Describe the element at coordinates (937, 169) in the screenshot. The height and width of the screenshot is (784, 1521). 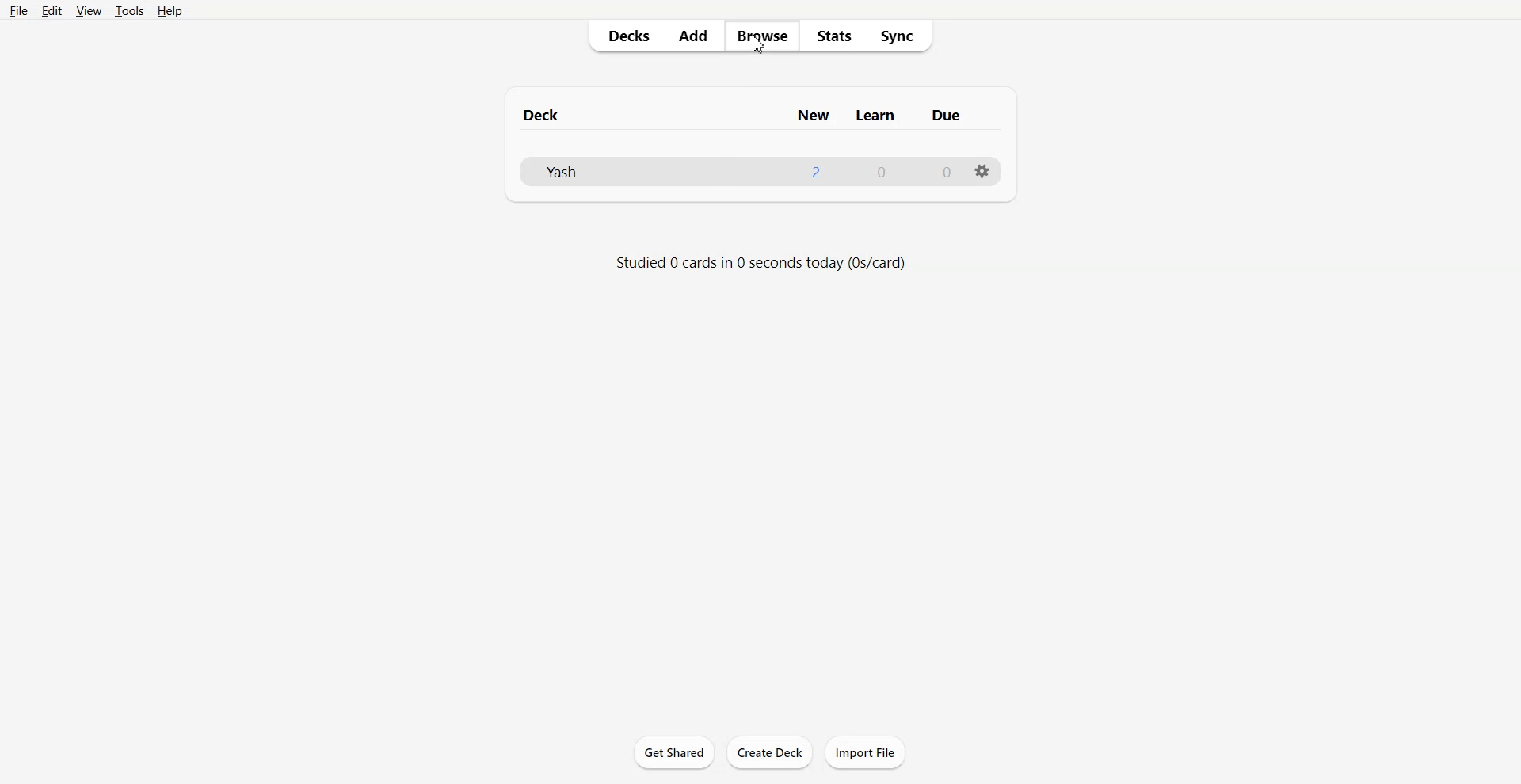
I see `0` at that location.